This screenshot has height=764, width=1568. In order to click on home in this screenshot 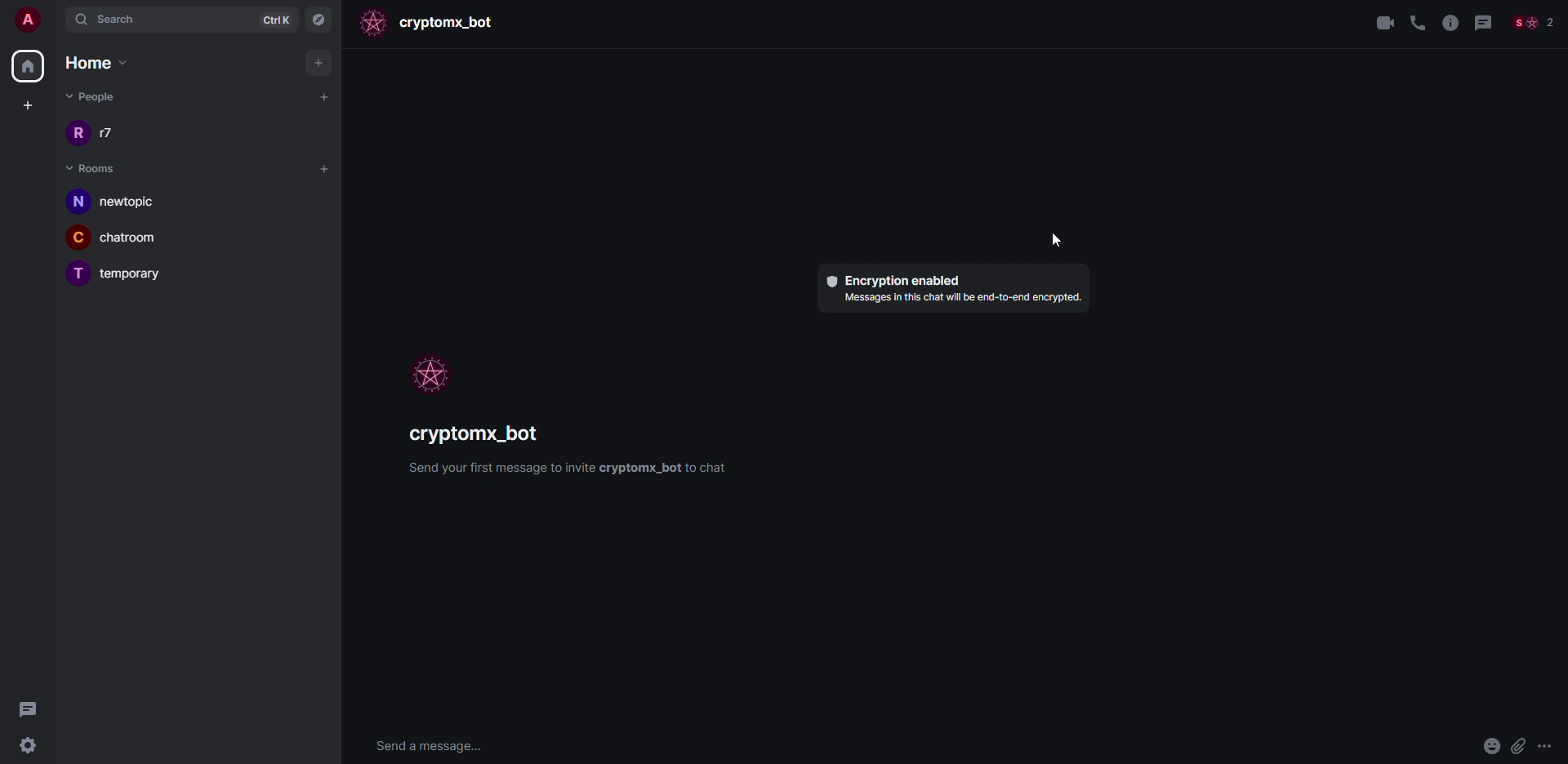, I will do `click(100, 62)`.